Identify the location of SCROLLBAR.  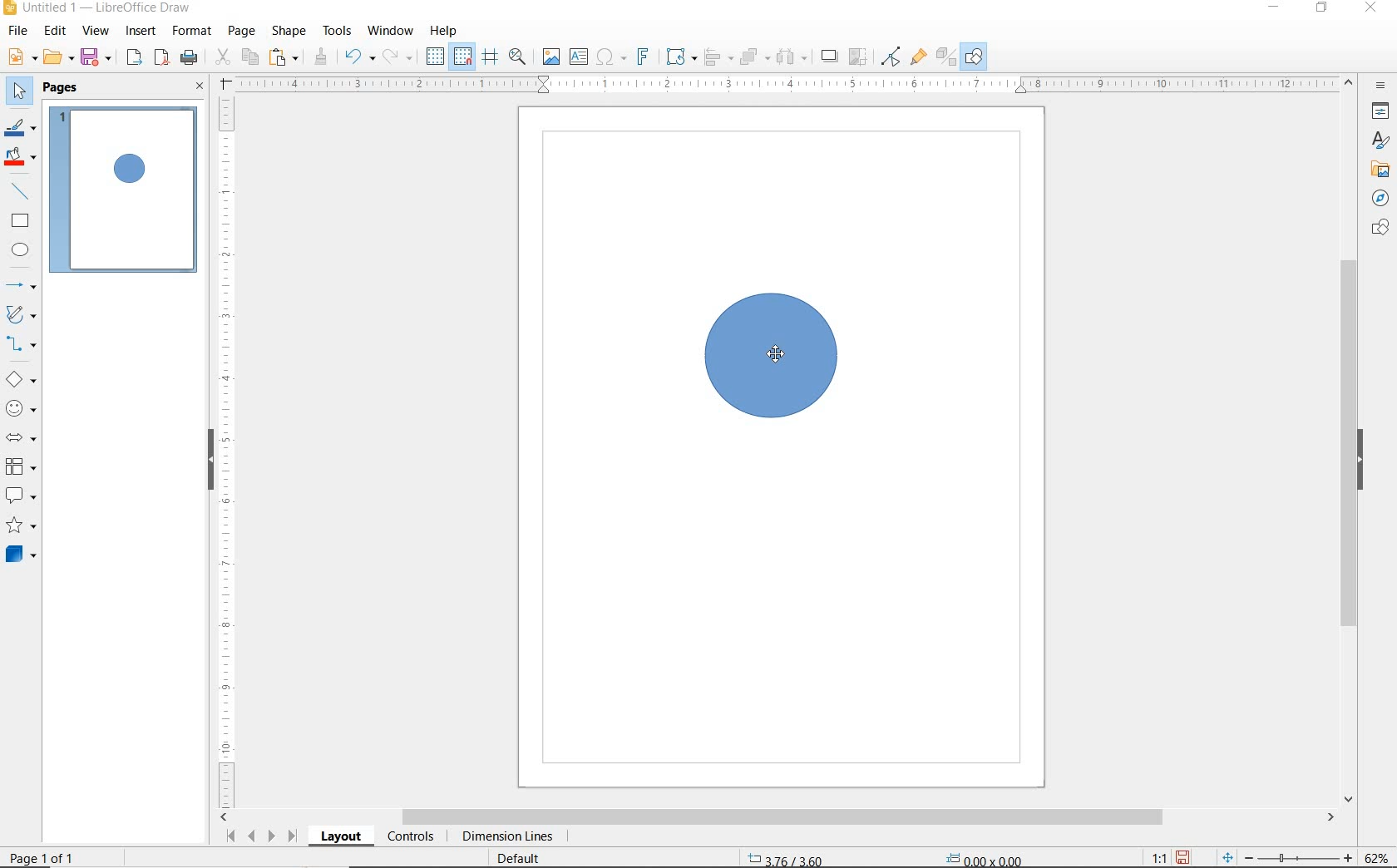
(777, 818).